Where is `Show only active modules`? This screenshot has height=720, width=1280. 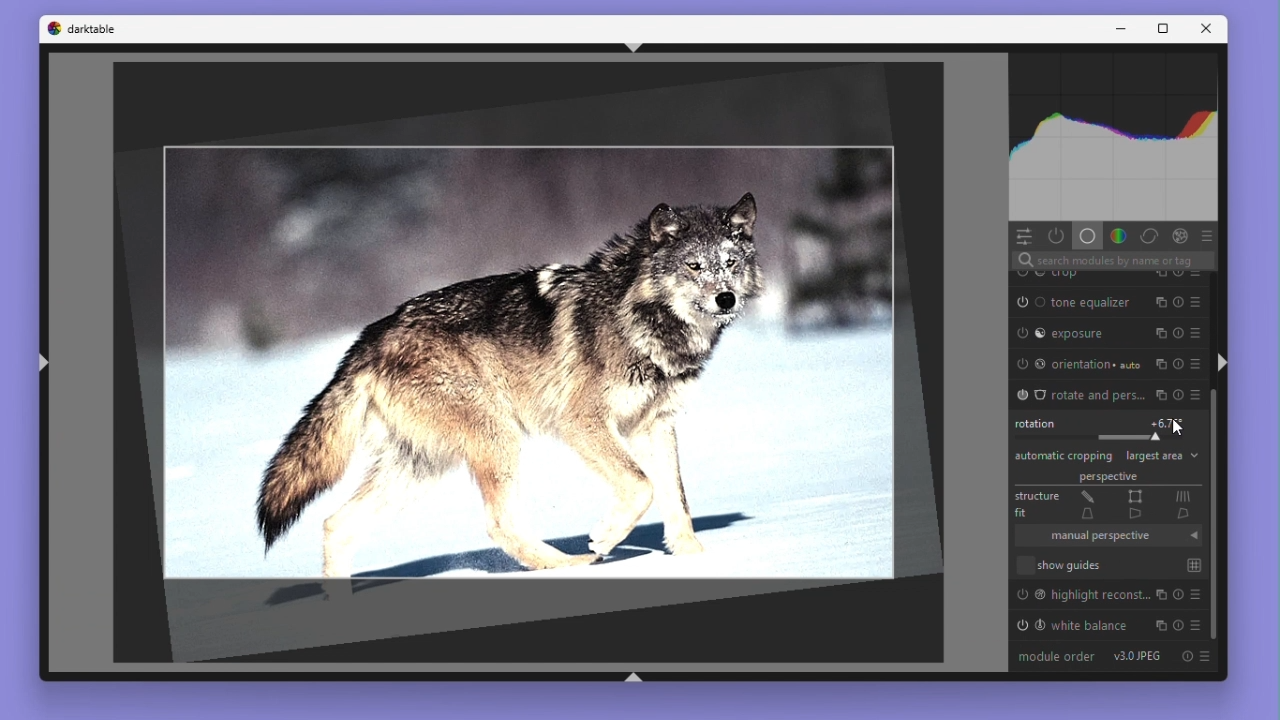
Show only active modules is located at coordinates (1058, 235).